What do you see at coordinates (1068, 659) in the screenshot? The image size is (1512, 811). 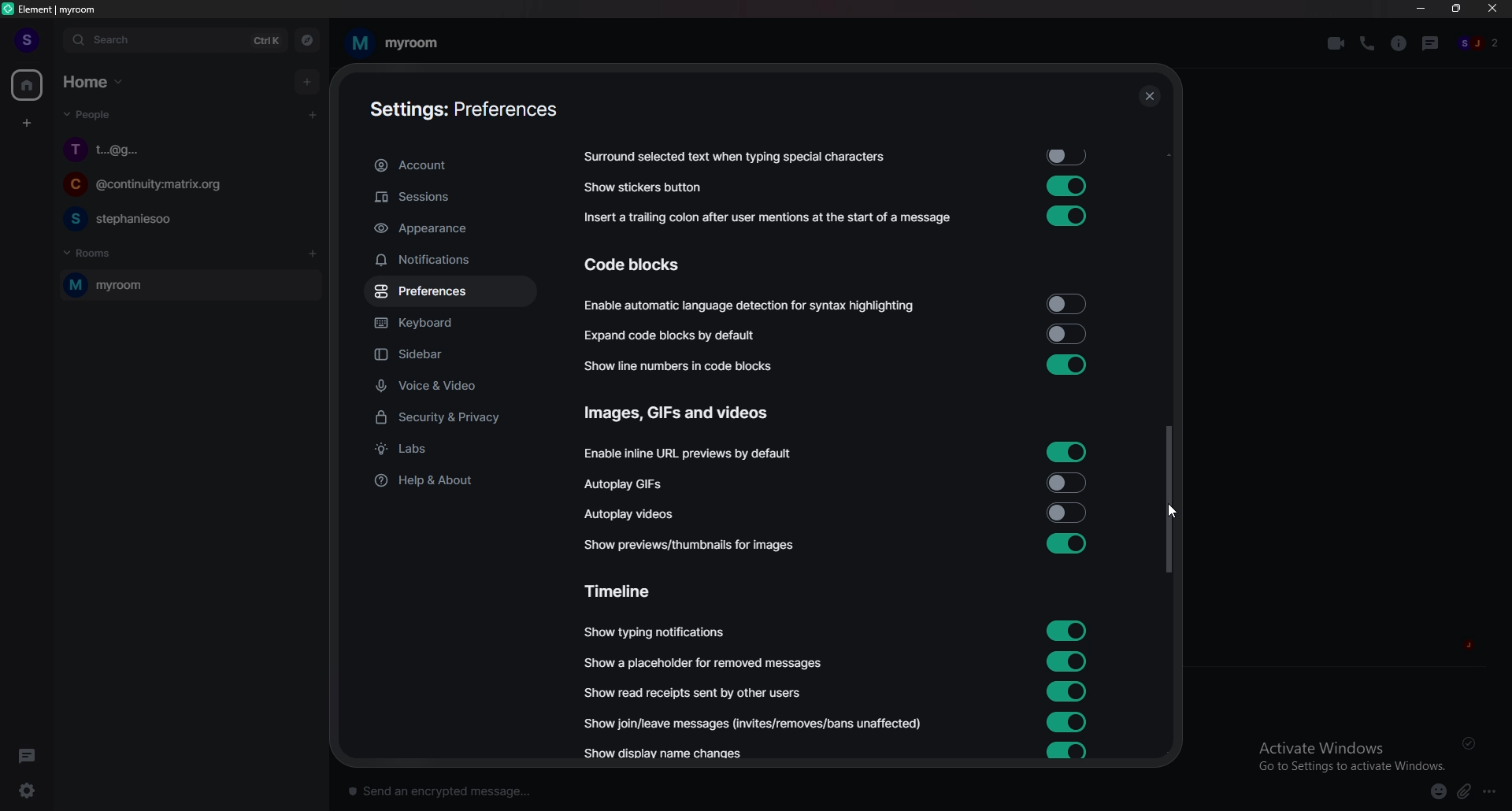 I see `toggle` at bounding box center [1068, 659].